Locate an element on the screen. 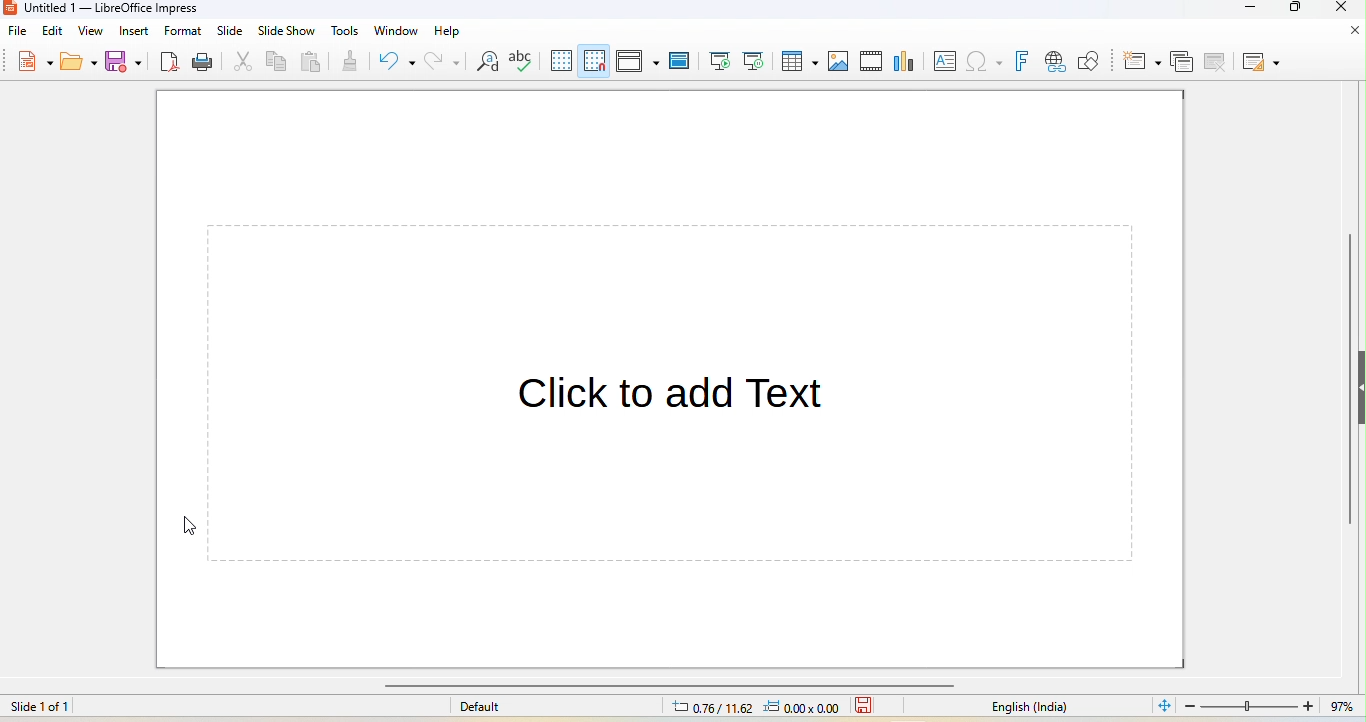 This screenshot has width=1366, height=722. duplicate slide is located at coordinates (1183, 61).